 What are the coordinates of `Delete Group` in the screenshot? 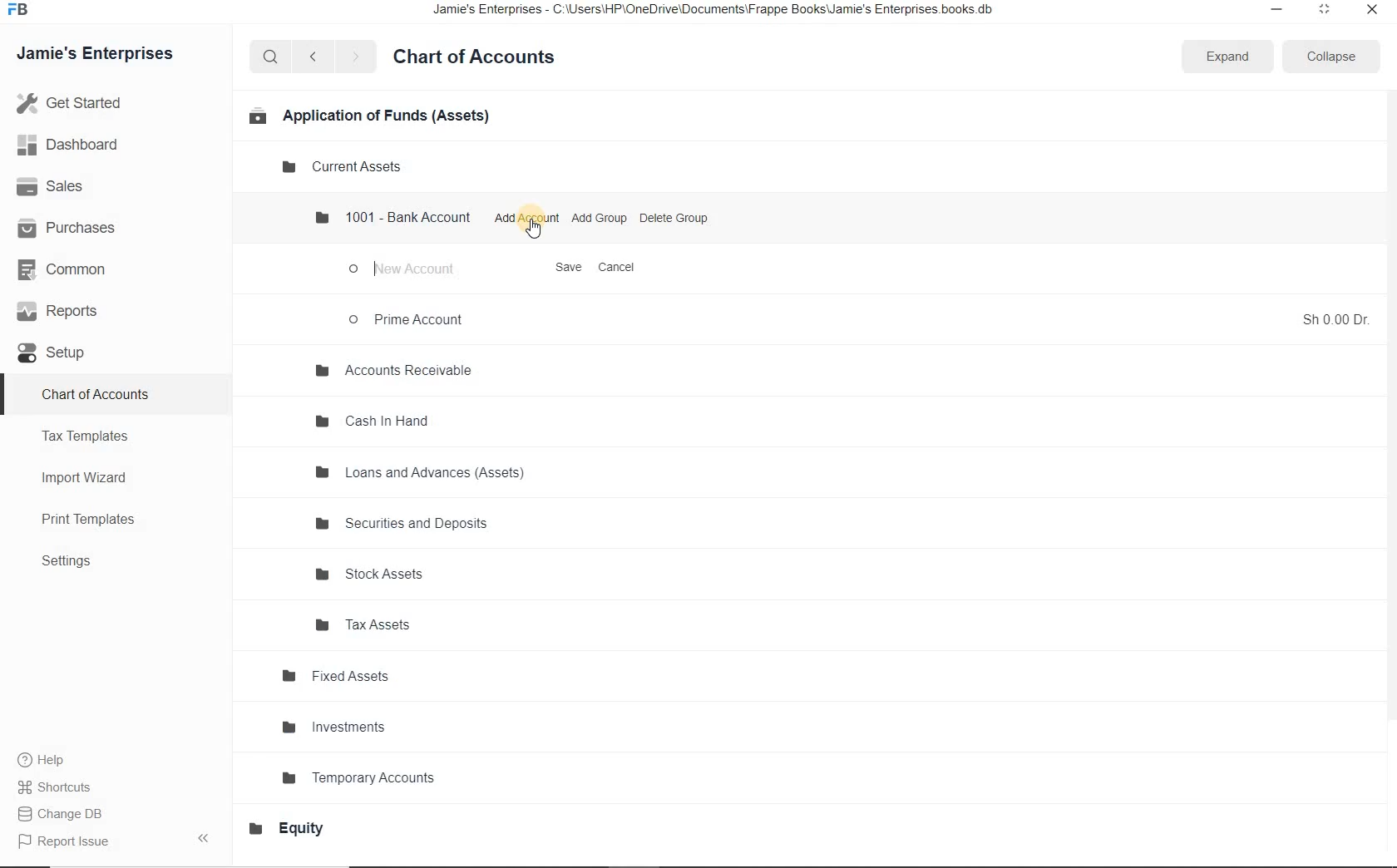 It's located at (674, 217).